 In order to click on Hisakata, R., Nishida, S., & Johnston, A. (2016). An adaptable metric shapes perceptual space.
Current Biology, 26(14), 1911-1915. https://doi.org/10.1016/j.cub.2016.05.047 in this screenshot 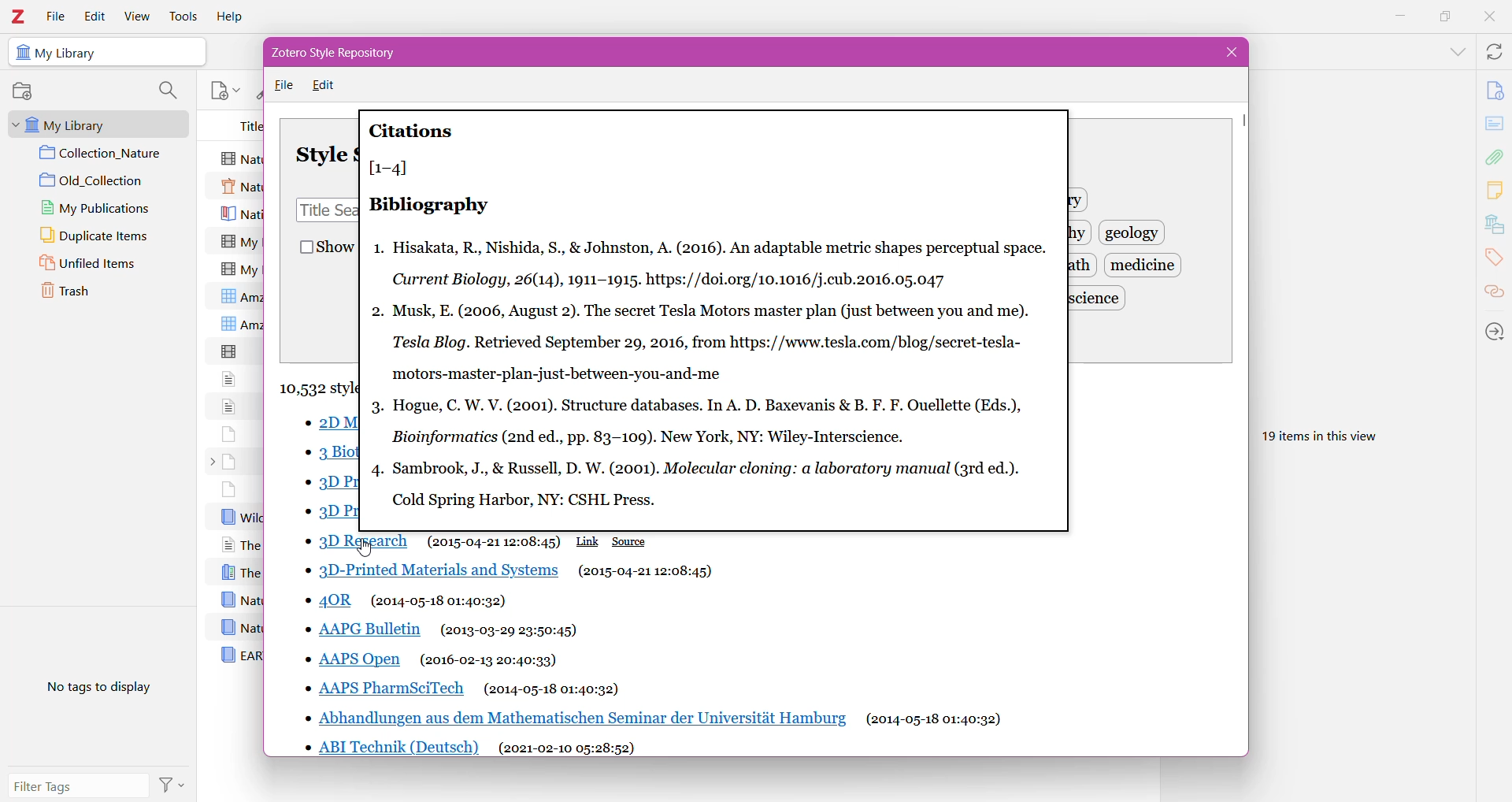, I will do `click(721, 265)`.